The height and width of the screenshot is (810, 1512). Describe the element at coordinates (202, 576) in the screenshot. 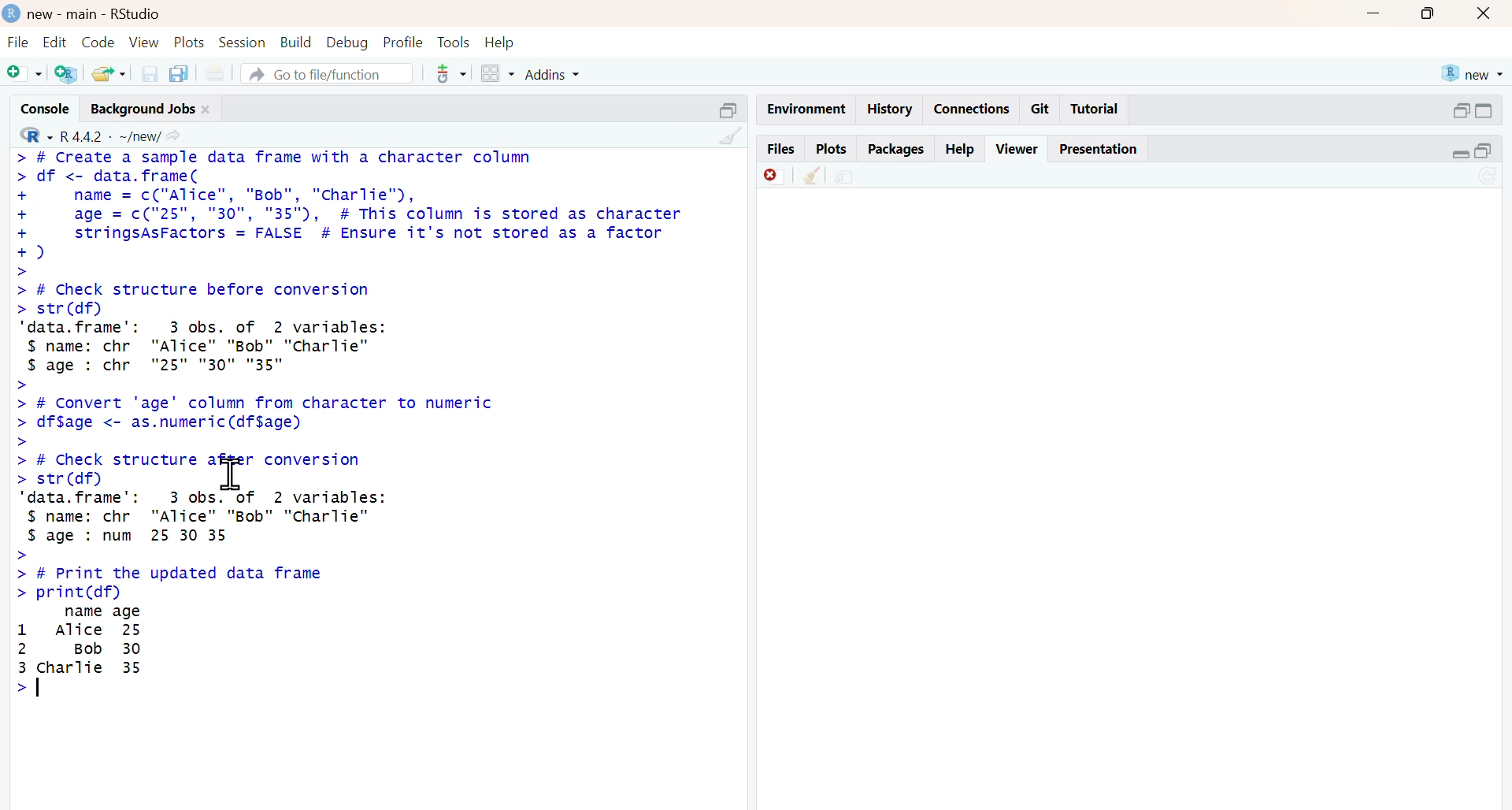

I see `> # Check structure after conversion> str(df) ‘data. frame’: 3 obs. of 2 variables:$ name: chr "Alice" "Bob" "Charlie"$ age : num 25 30 35>> [ Print the updated data frame> print(df)name age1 Alice 252 Bob 303 Charlie 35` at that location.